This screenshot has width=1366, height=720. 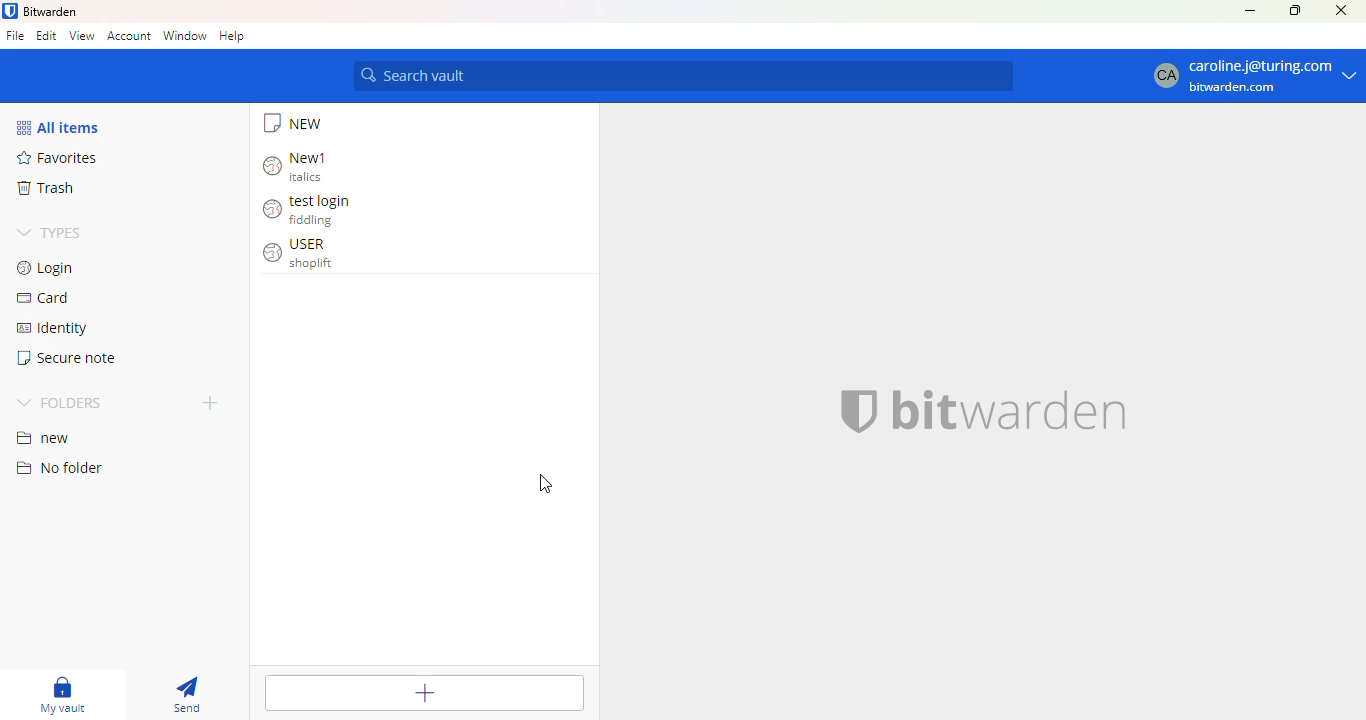 I want to click on edit, so click(x=46, y=36).